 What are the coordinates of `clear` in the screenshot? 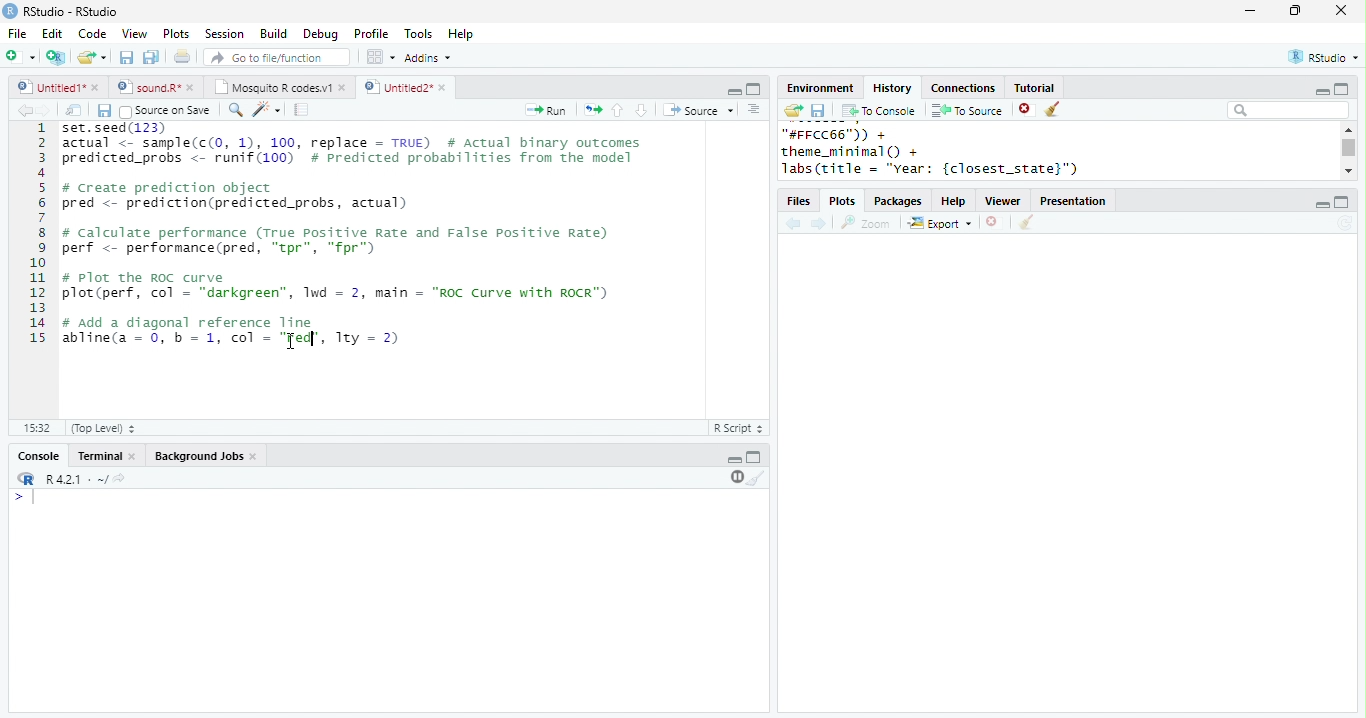 It's located at (1026, 223).